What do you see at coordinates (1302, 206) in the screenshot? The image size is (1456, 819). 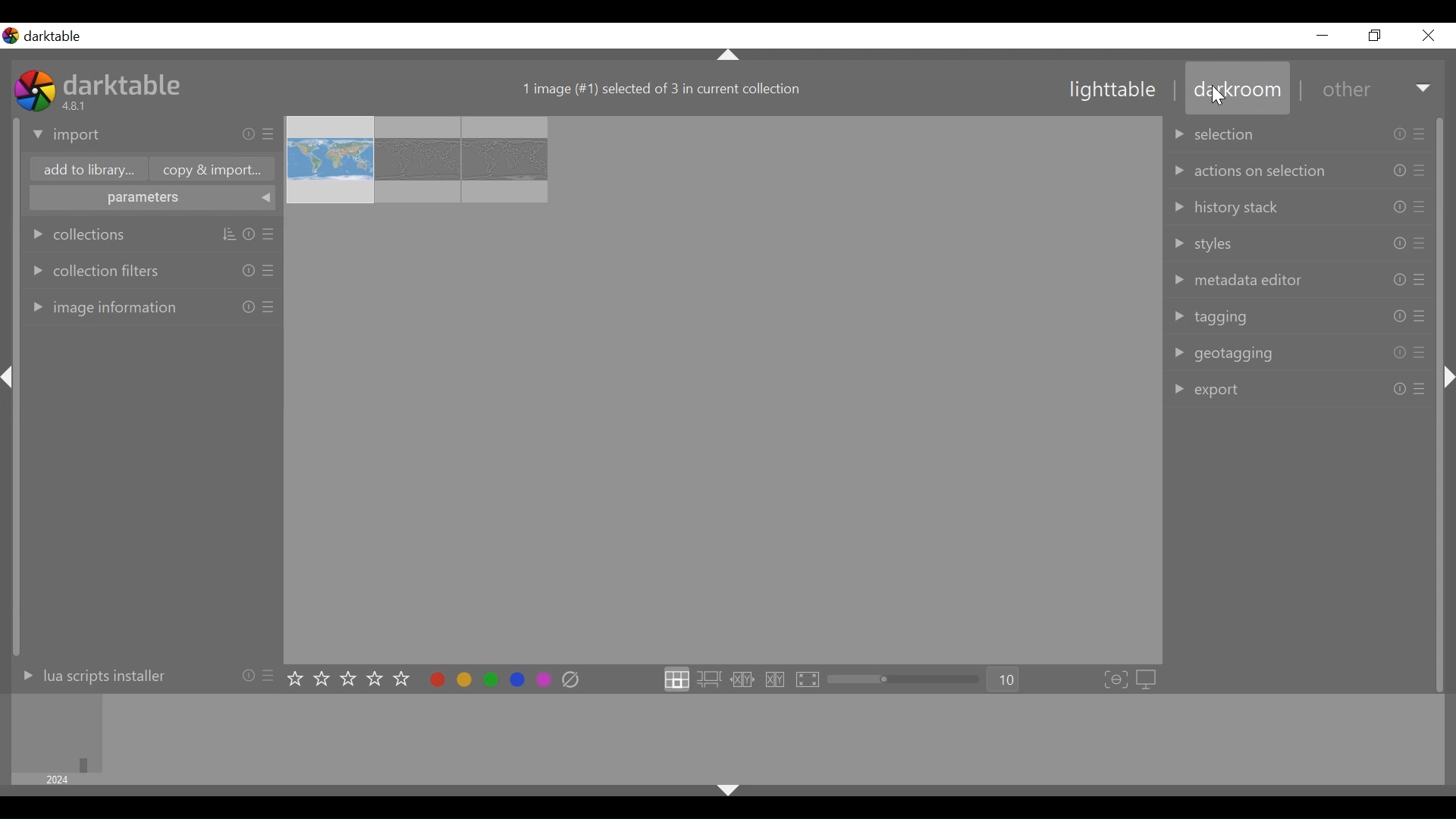 I see `history stack` at bounding box center [1302, 206].